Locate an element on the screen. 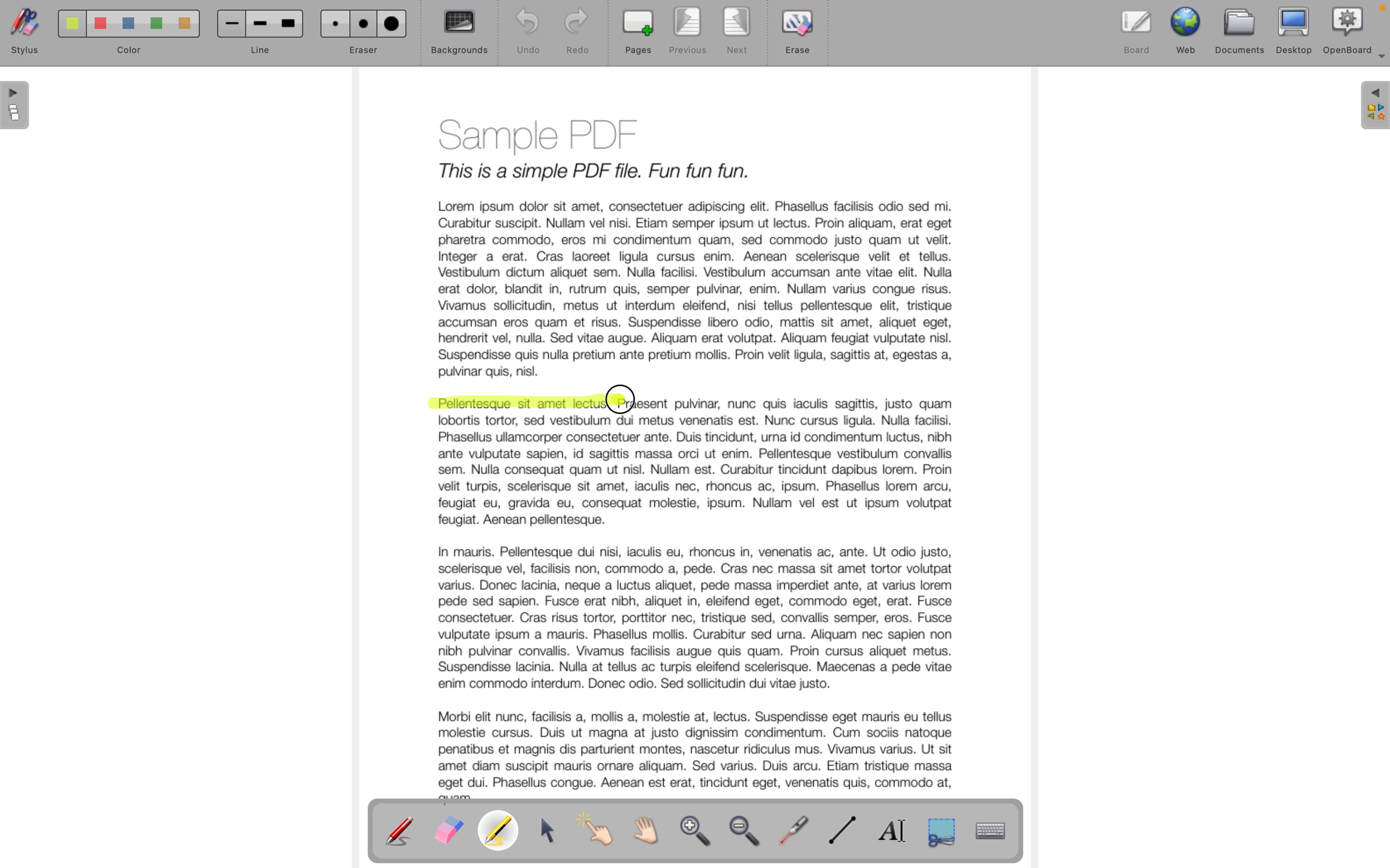 This screenshot has width=1390, height=868. eraser is located at coordinates (362, 33).